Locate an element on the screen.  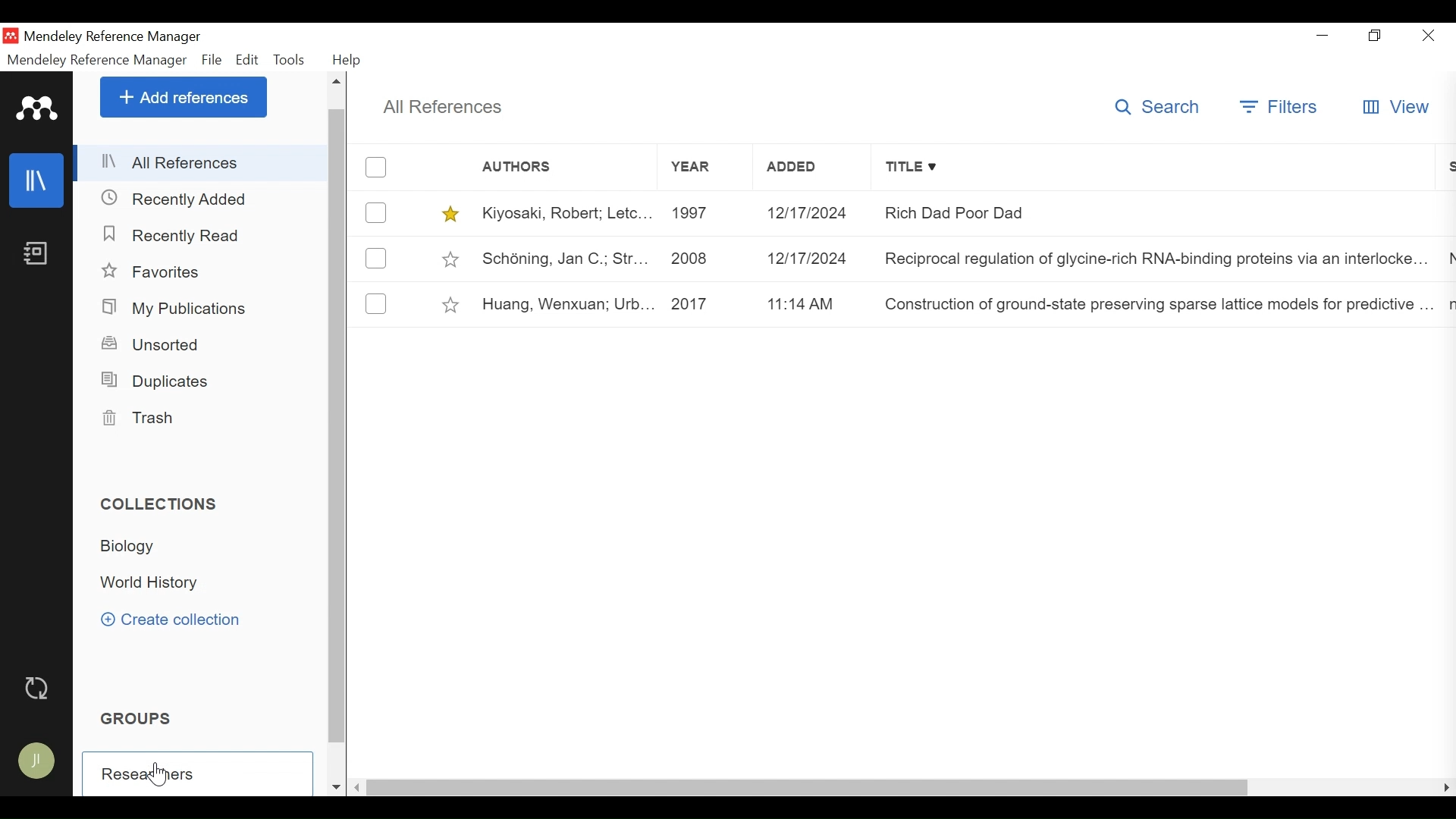
11:14 am is located at coordinates (813, 303).